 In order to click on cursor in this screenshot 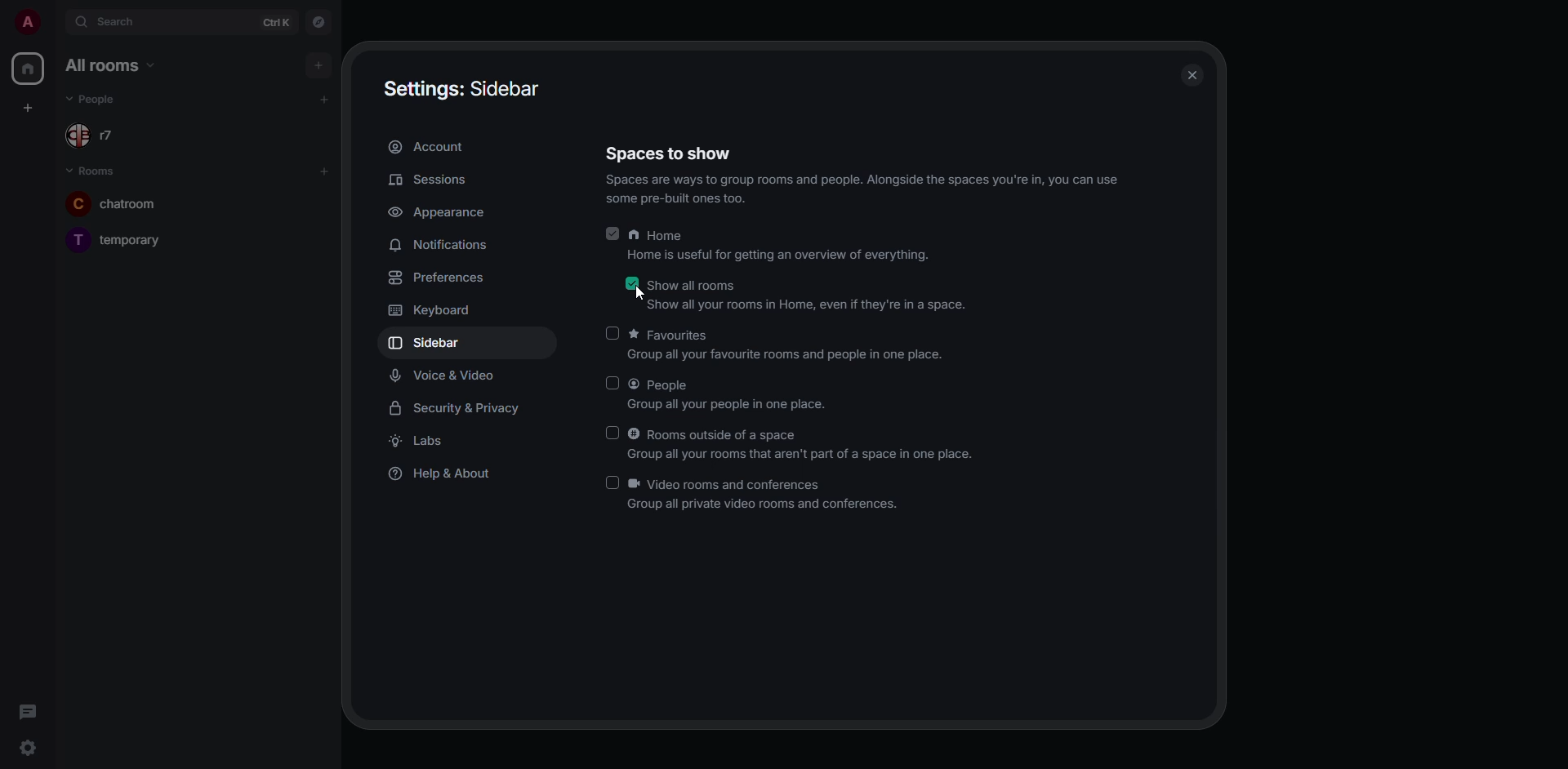, I will do `click(639, 292)`.